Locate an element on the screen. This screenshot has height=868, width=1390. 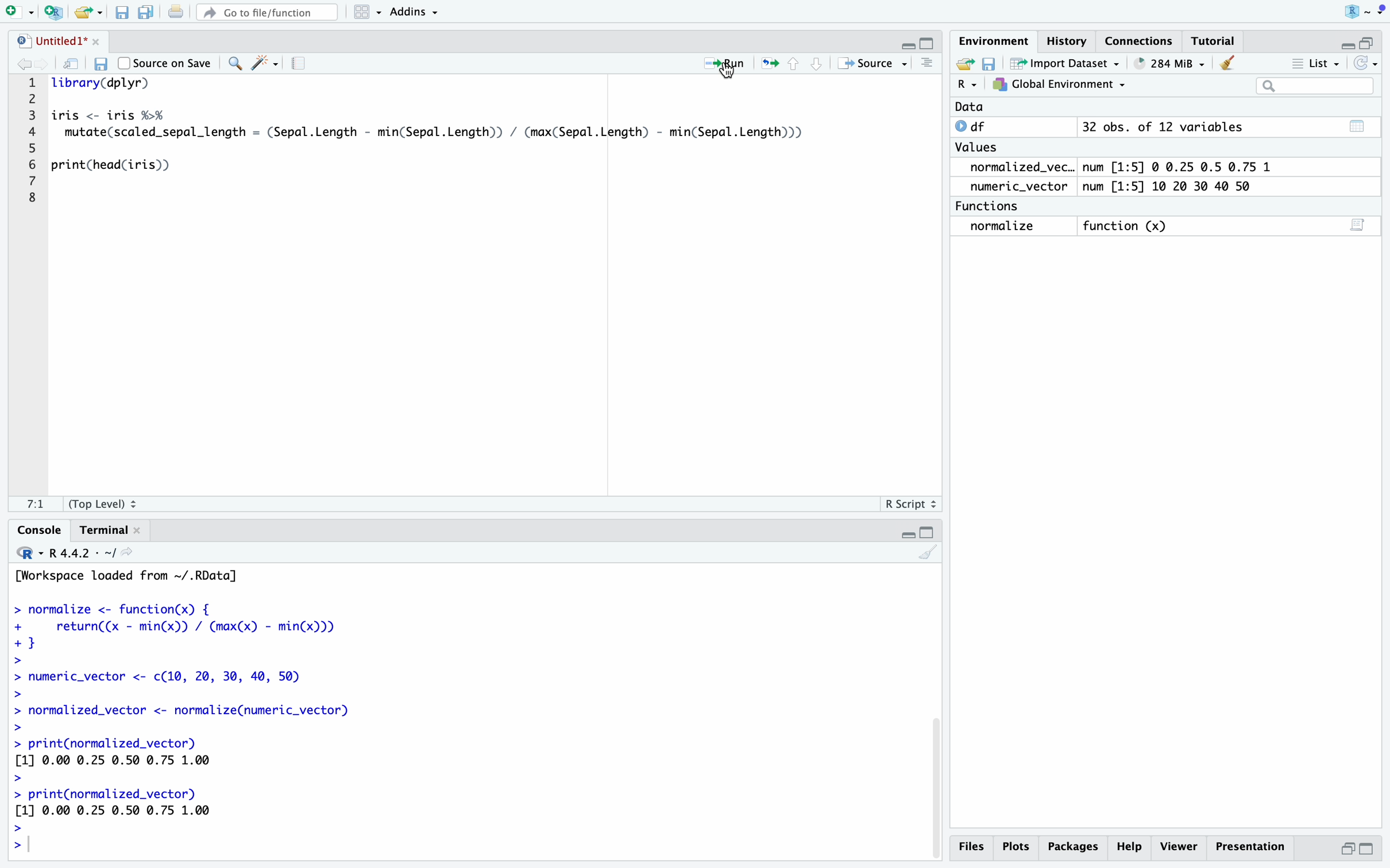
Environment is located at coordinates (993, 41).